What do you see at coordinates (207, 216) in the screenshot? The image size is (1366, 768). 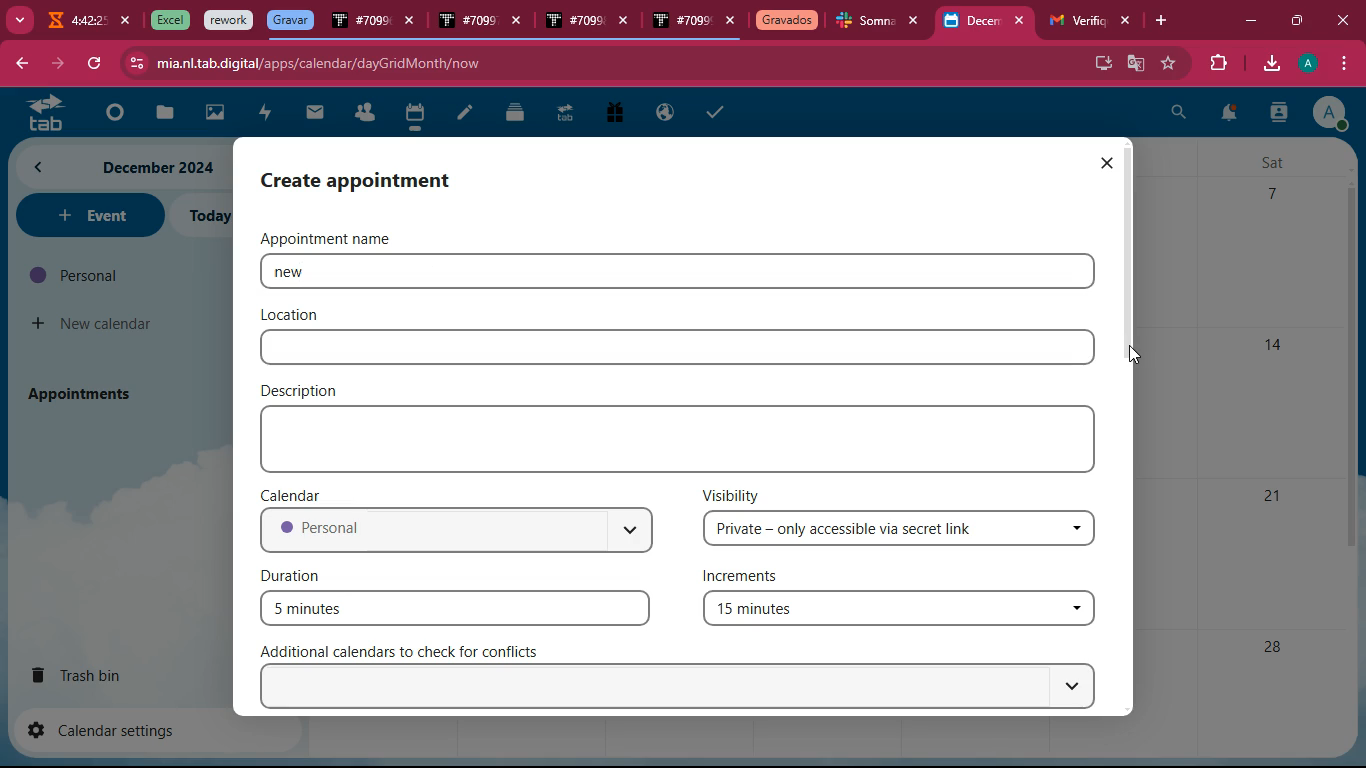 I see `today` at bounding box center [207, 216].